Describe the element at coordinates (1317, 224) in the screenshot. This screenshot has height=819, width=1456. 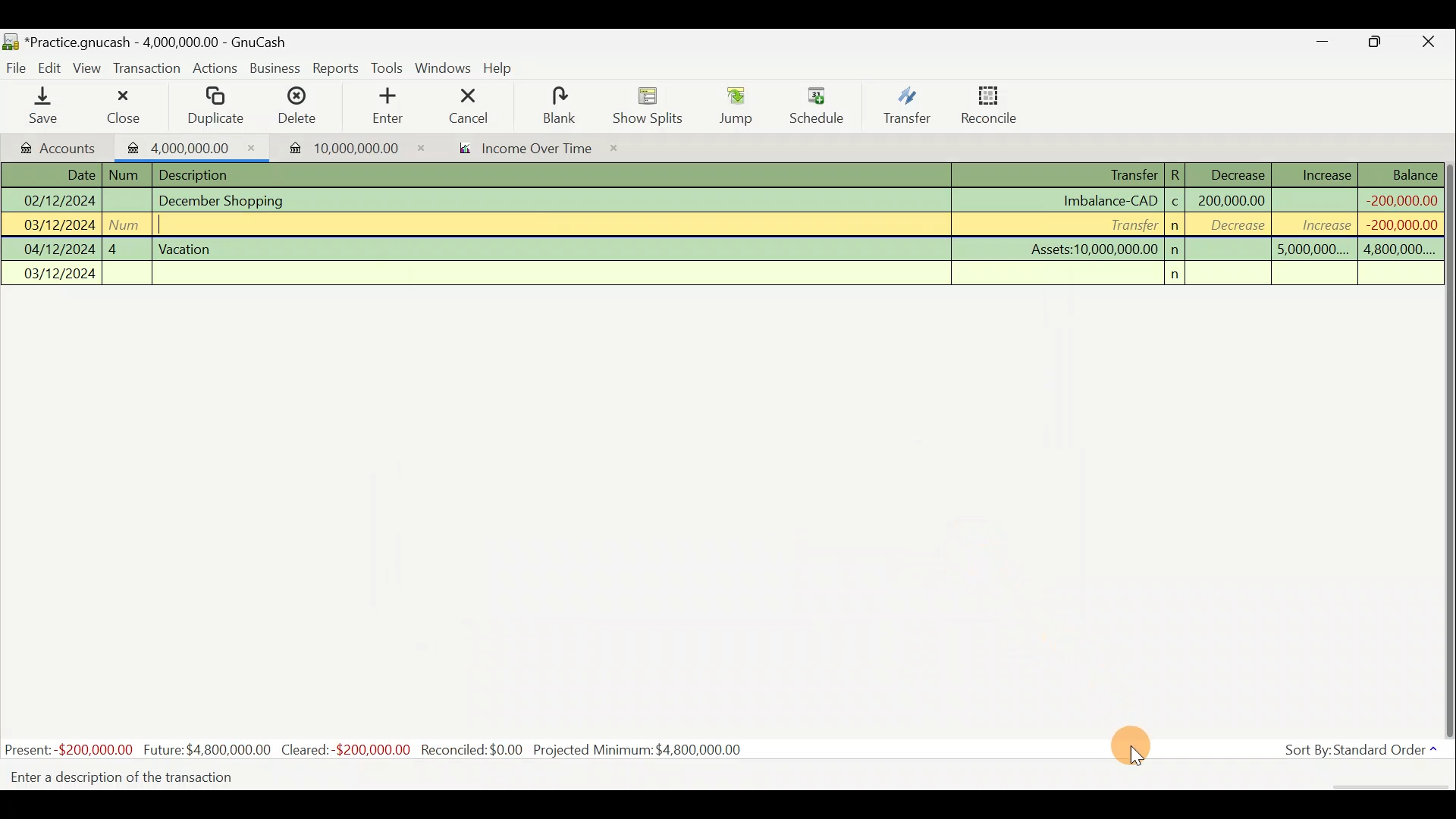
I see `increase` at that location.